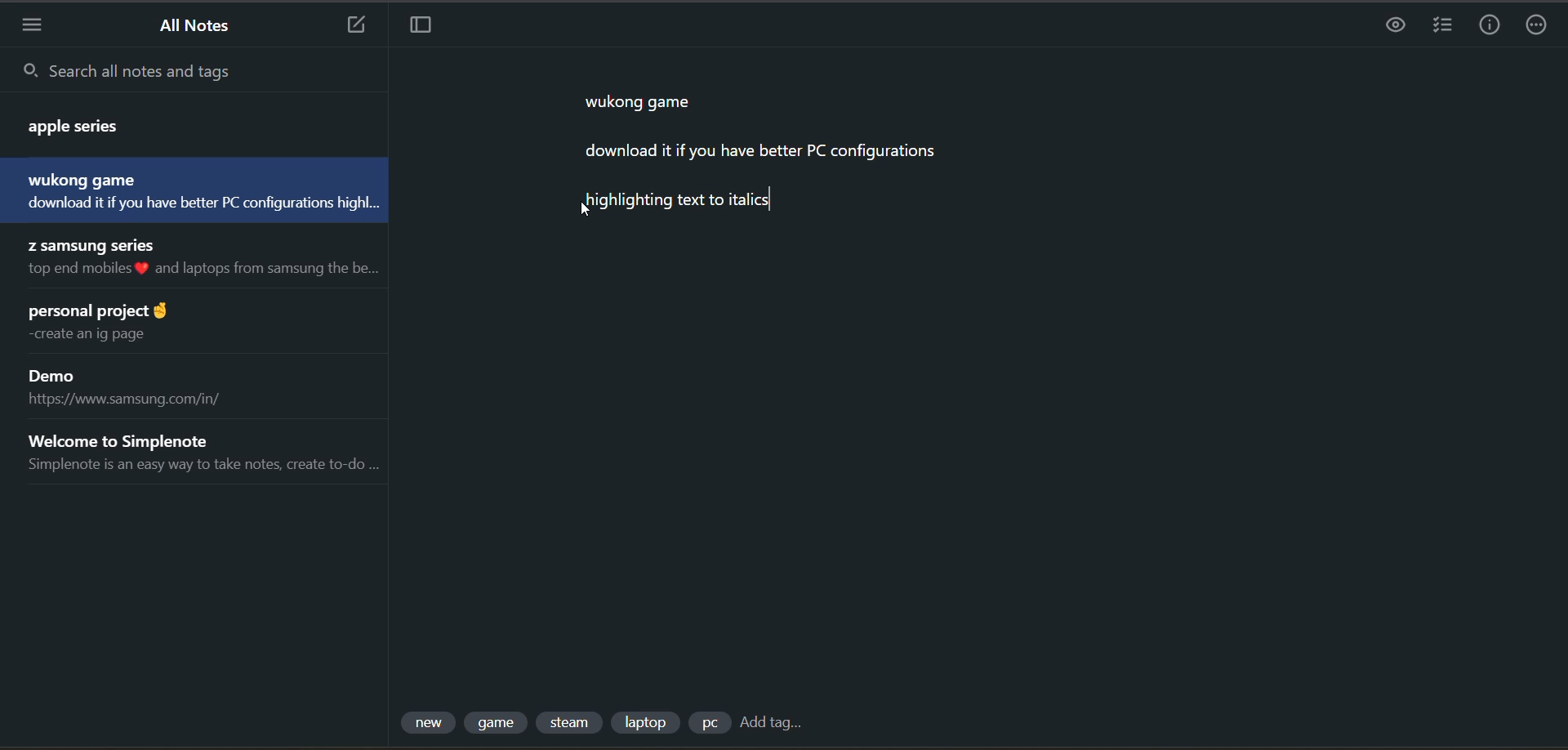 The height and width of the screenshot is (750, 1568). Describe the element at coordinates (572, 723) in the screenshot. I see `tag 3` at that location.